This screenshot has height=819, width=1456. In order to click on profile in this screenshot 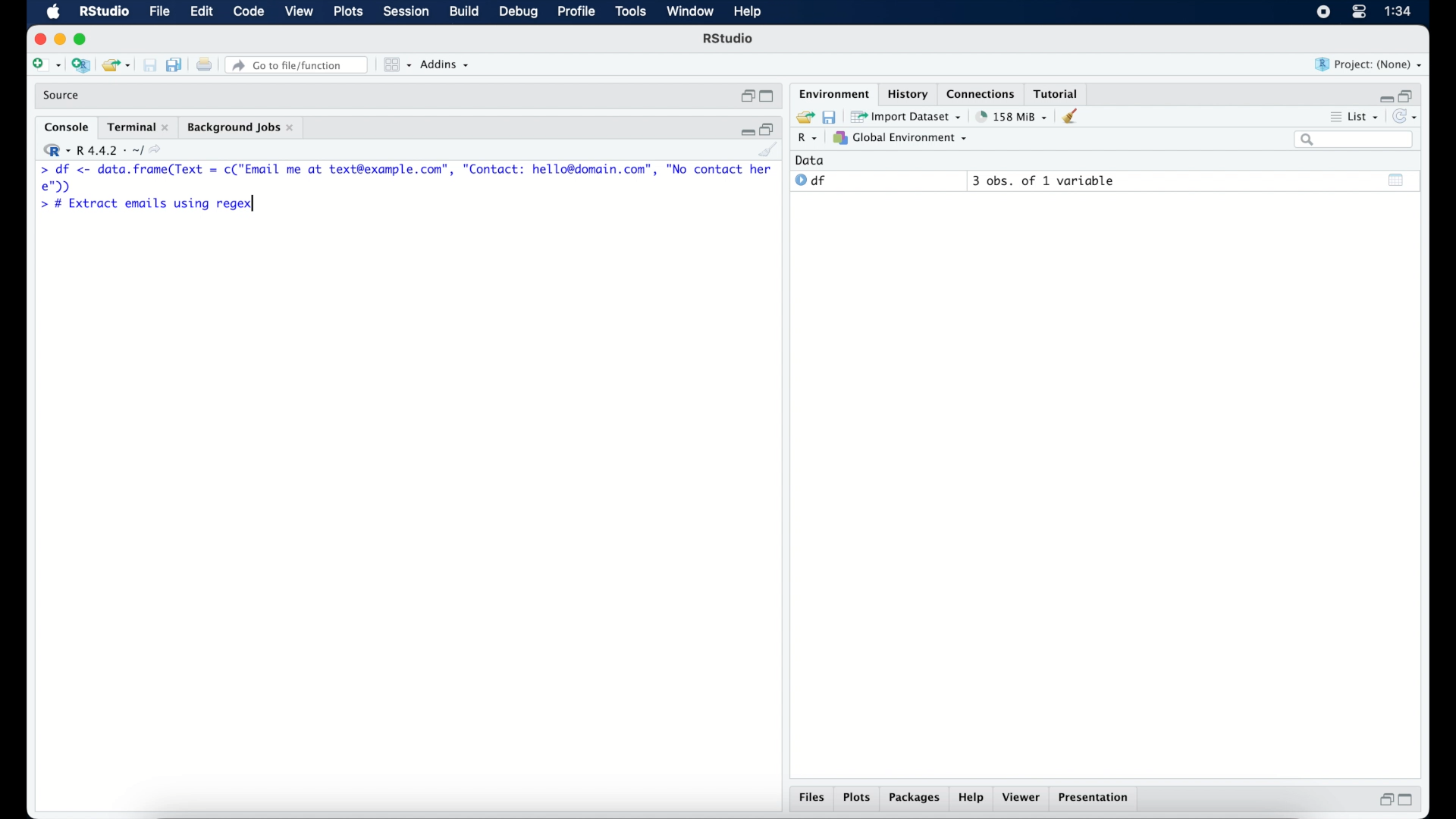, I will do `click(576, 12)`.